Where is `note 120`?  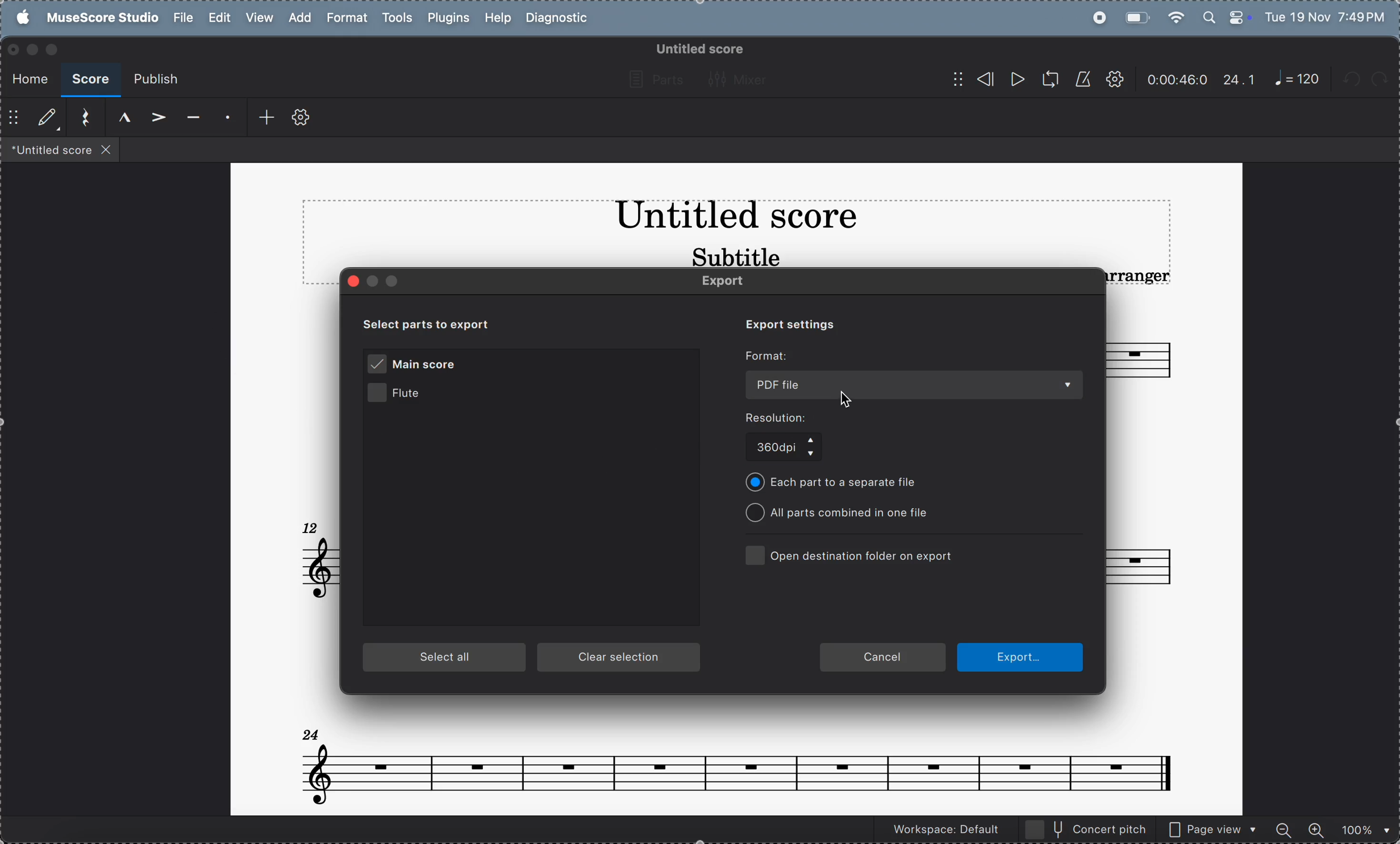 note 120 is located at coordinates (1297, 80).